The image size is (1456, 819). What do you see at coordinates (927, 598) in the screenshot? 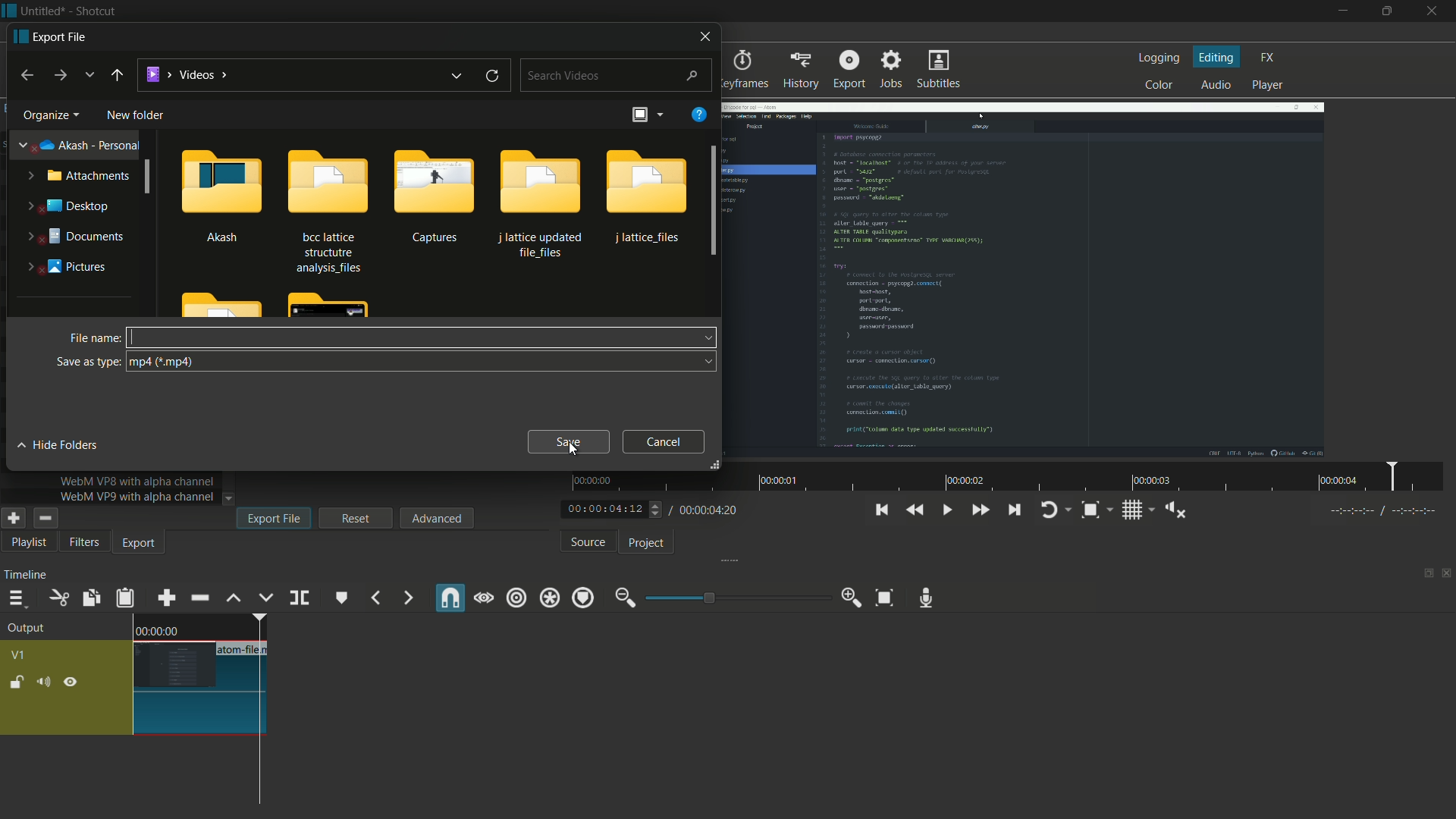
I see `record audio` at bounding box center [927, 598].